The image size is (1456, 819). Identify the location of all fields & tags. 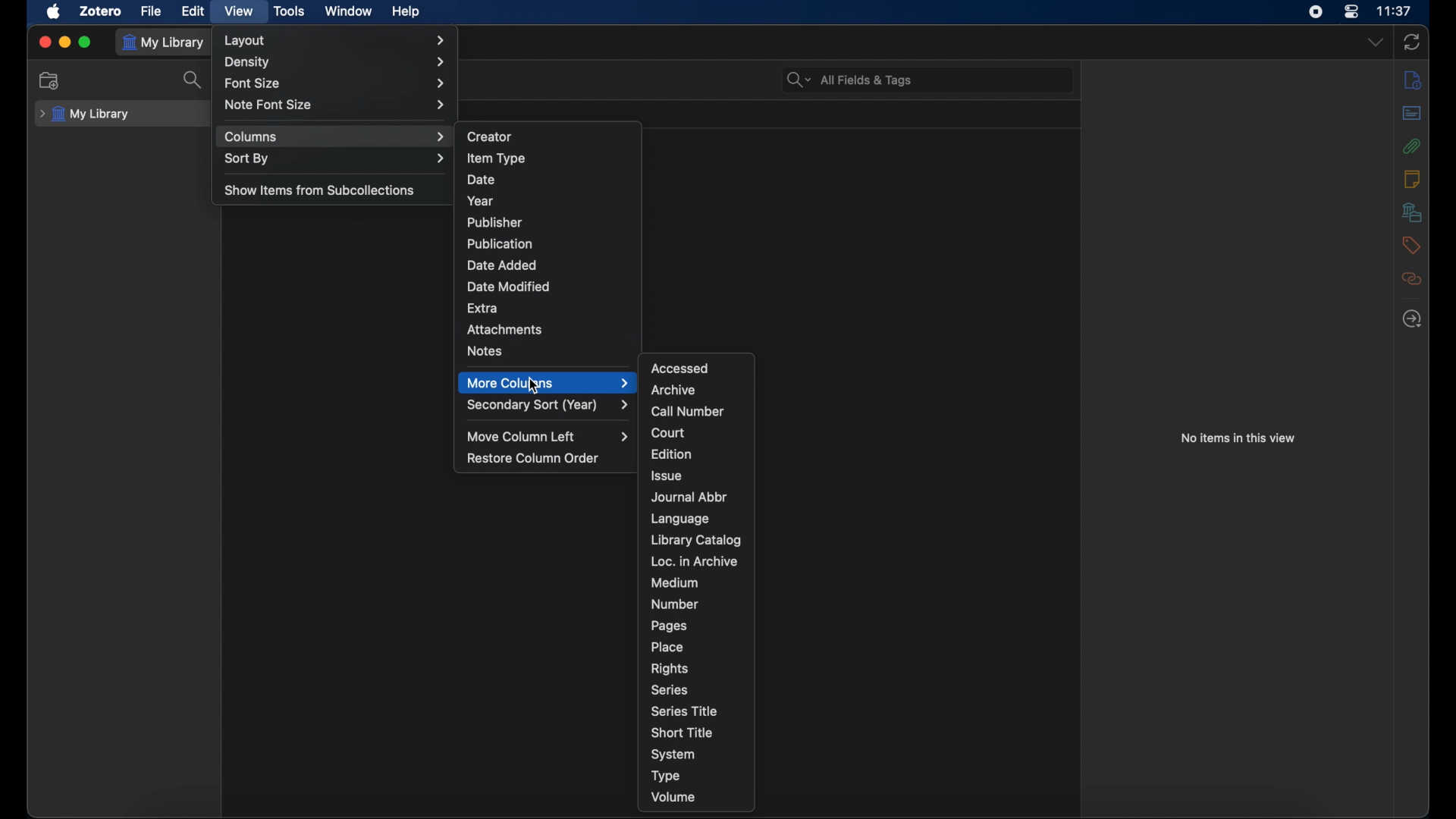
(850, 79).